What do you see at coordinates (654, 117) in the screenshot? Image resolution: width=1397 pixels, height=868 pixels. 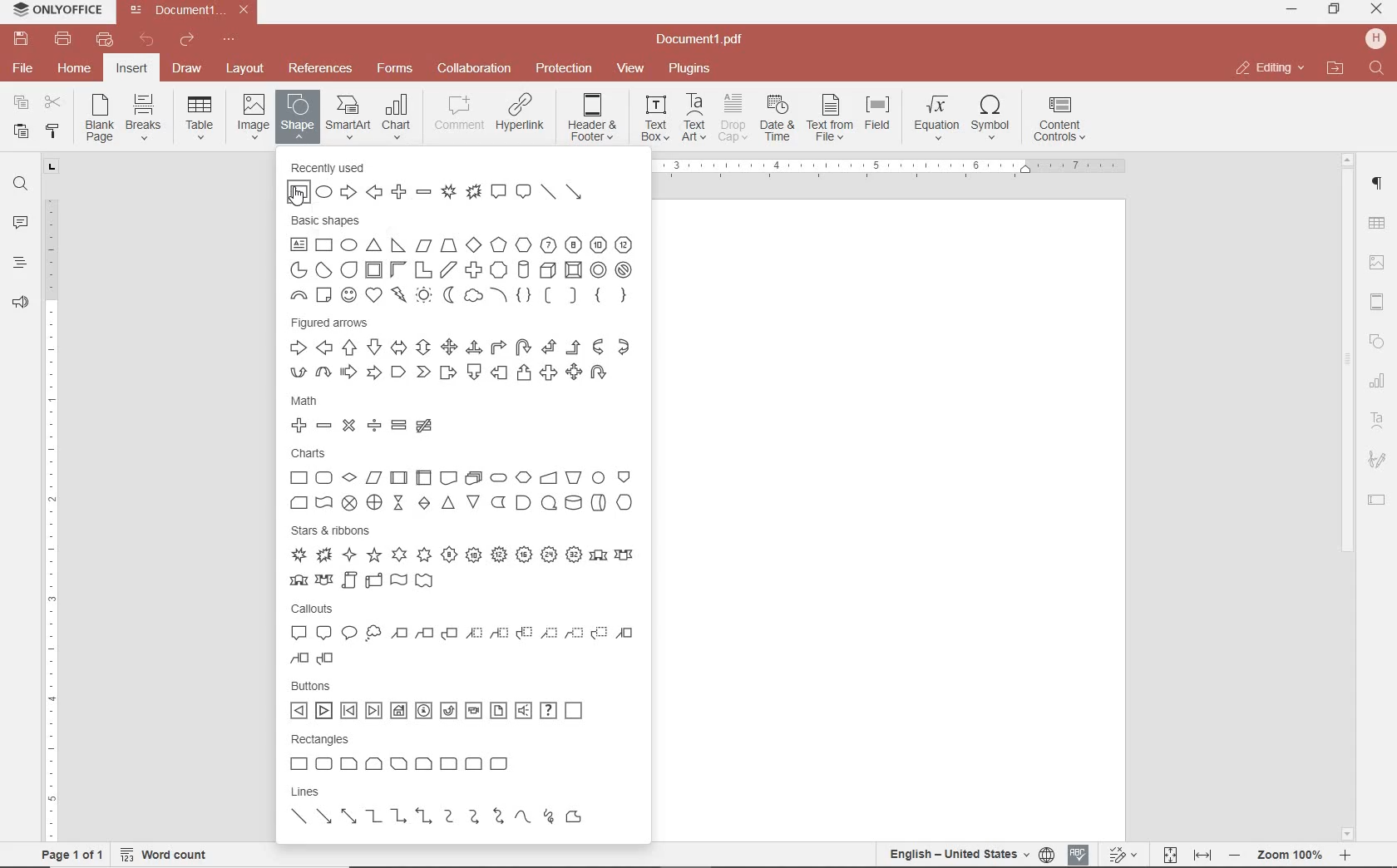 I see `INSERT TEXT BOX` at bounding box center [654, 117].